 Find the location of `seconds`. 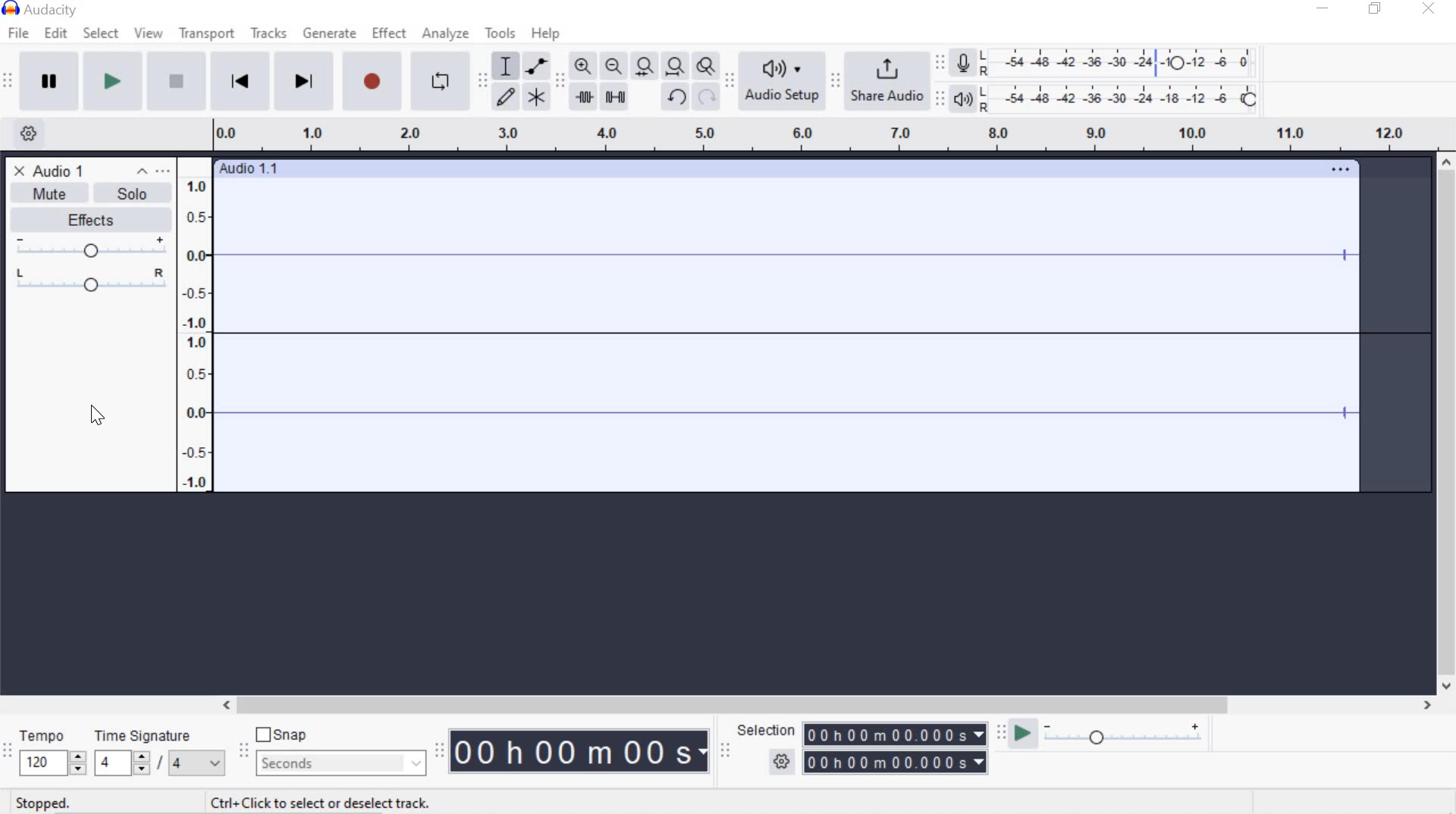

seconds is located at coordinates (338, 762).